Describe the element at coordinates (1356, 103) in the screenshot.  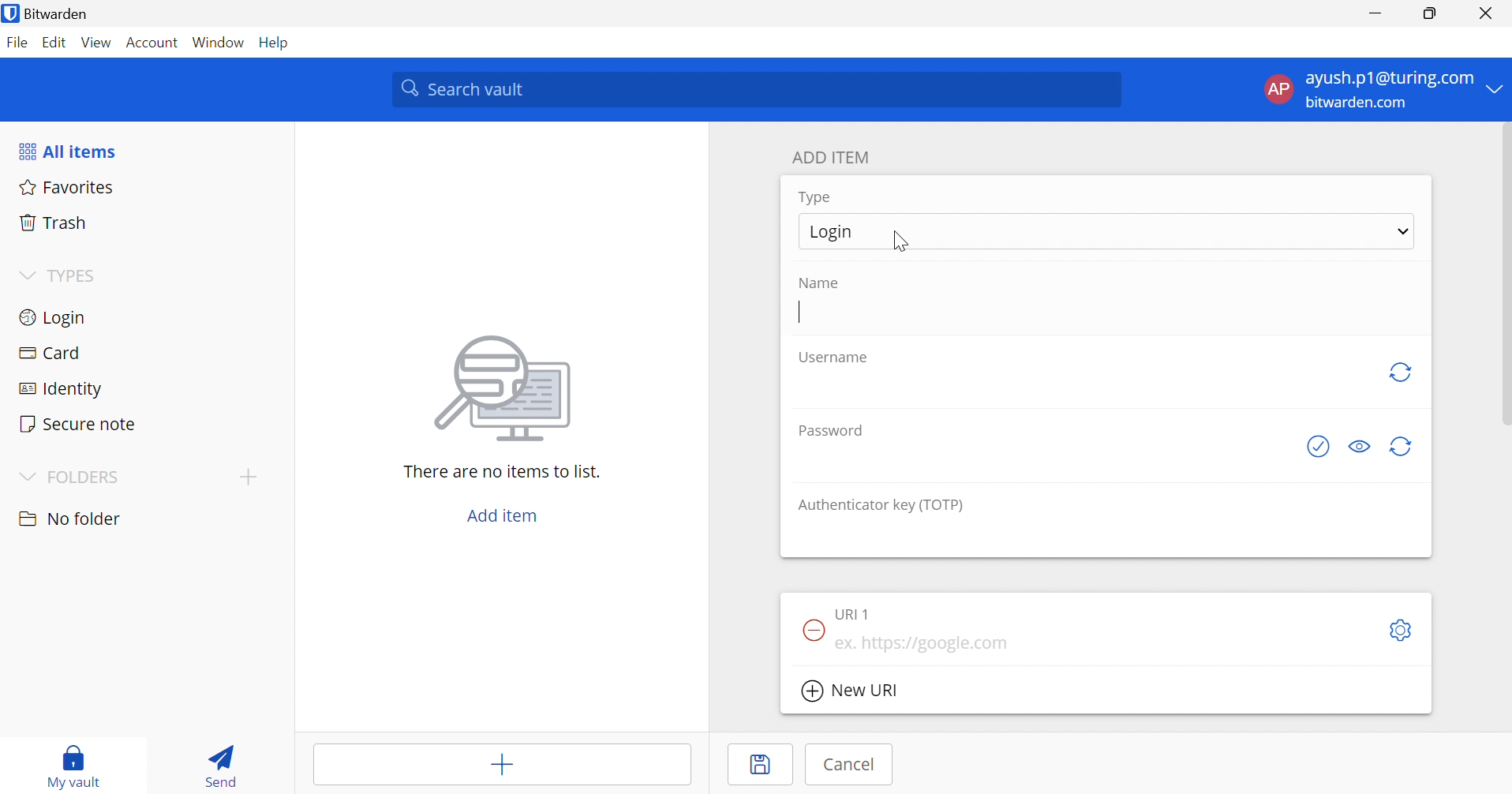
I see `bitwarden.com` at that location.